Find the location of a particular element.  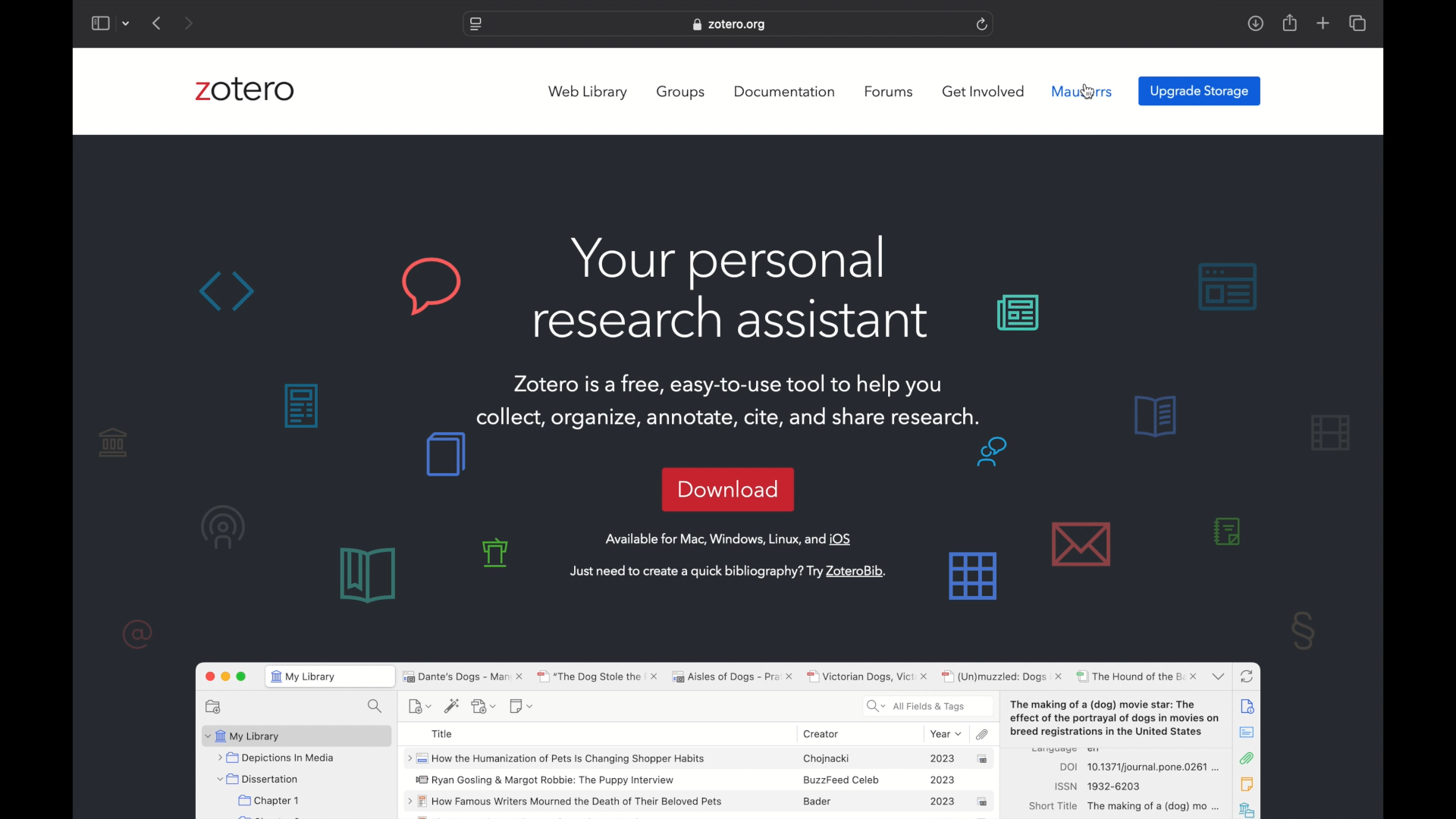

add is located at coordinates (1324, 23).